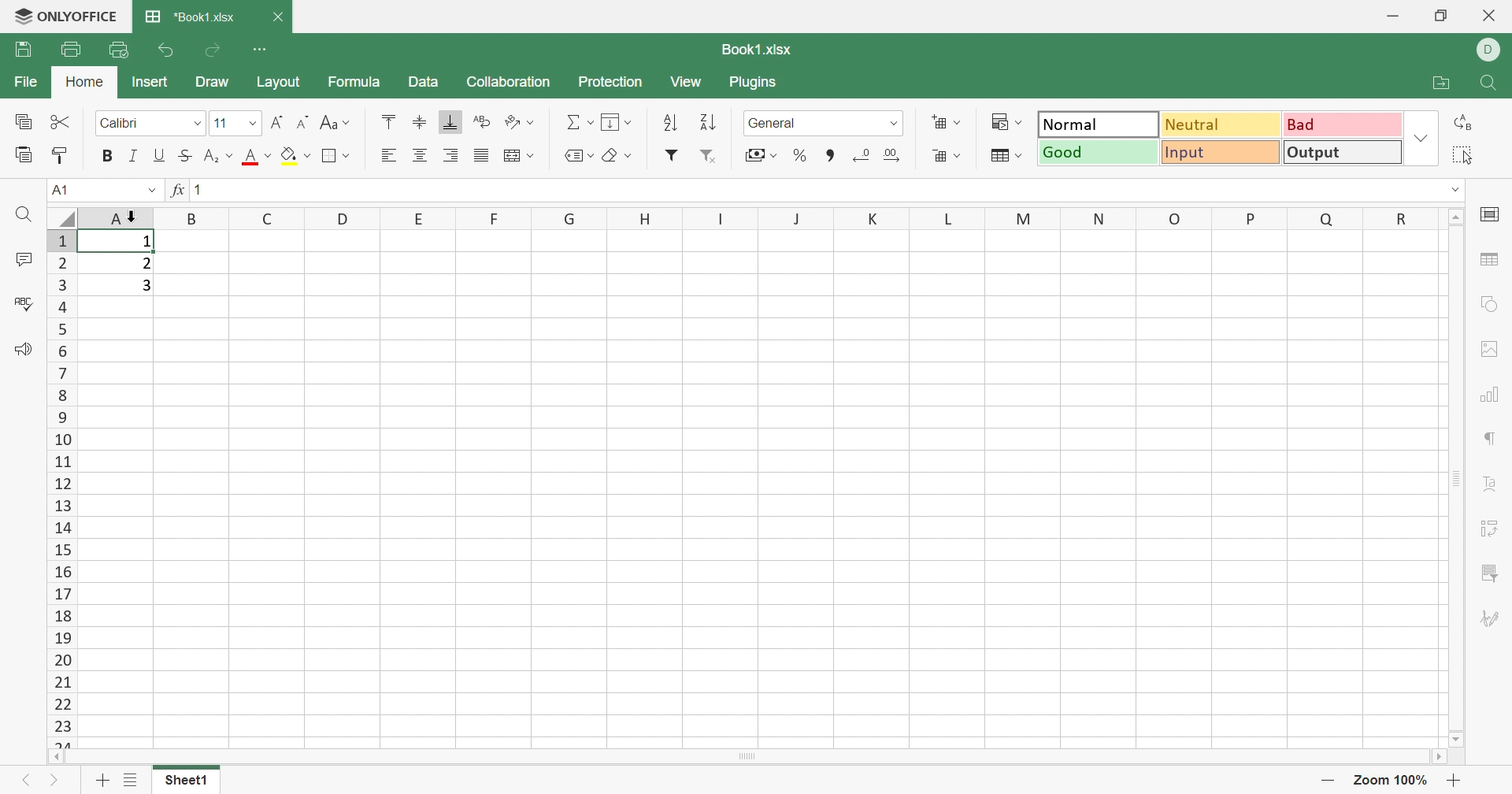 The width and height of the screenshot is (1512, 794). Describe the element at coordinates (1495, 213) in the screenshot. I see `Cell settings` at that location.